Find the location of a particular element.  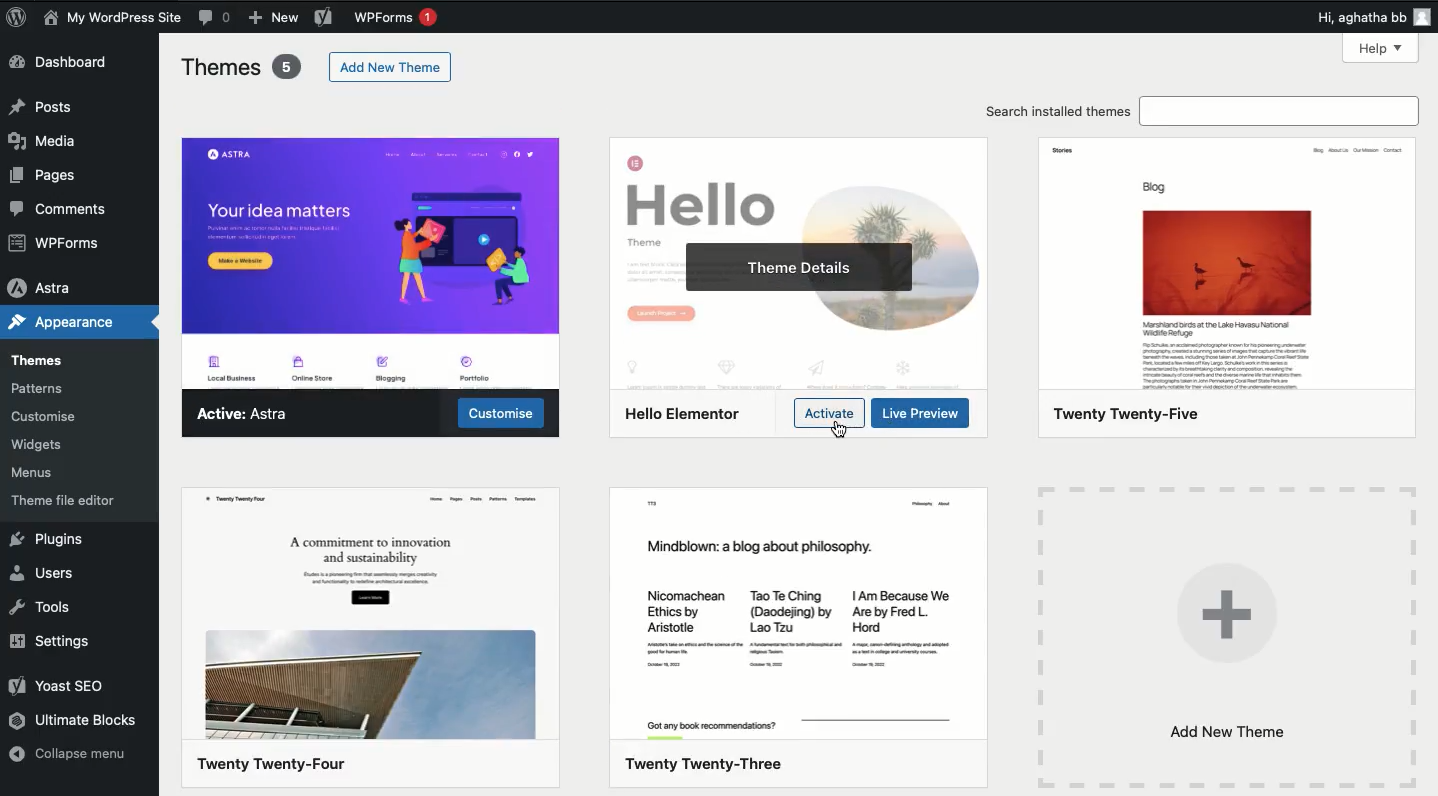

WPForms is located at coordinates (401, 18).